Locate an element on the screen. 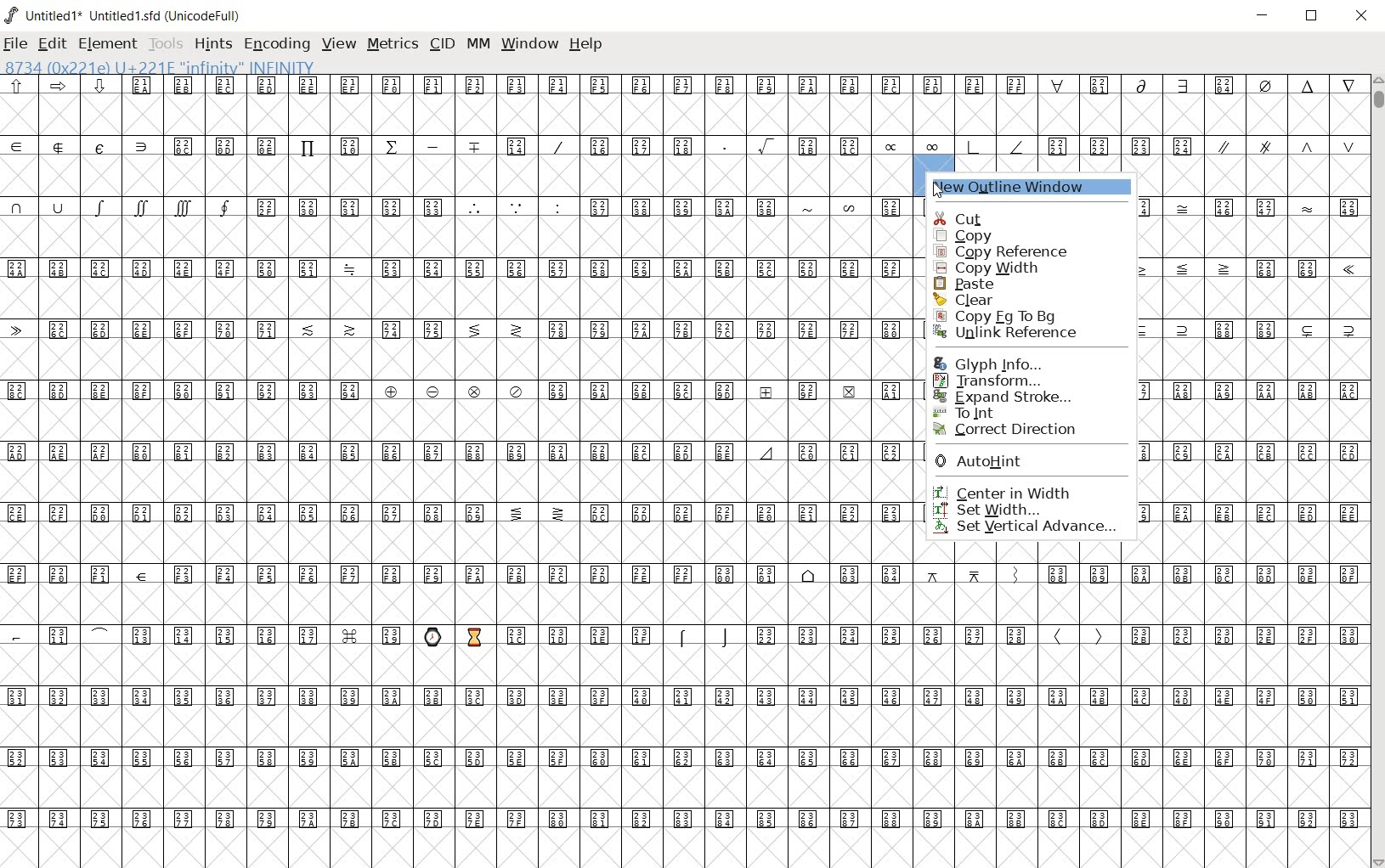  symbols is located at coordinates (1286, 144).